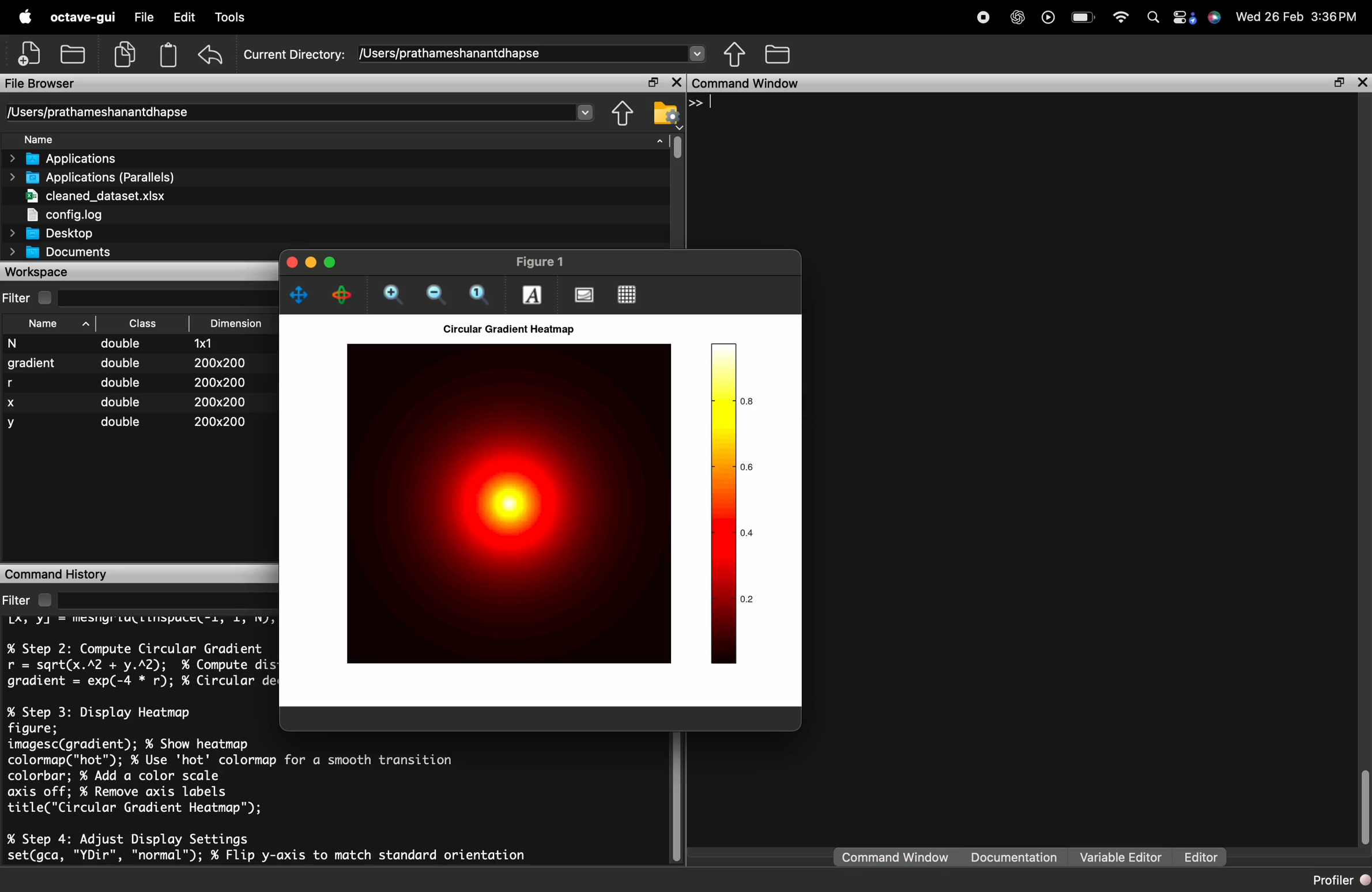 Image resolution: width=1372 pixels, height=892 pixels. What do you see at coordinates (432, 295) in the screenshot?
I see `zoom out` at bounding box center [432, 295].